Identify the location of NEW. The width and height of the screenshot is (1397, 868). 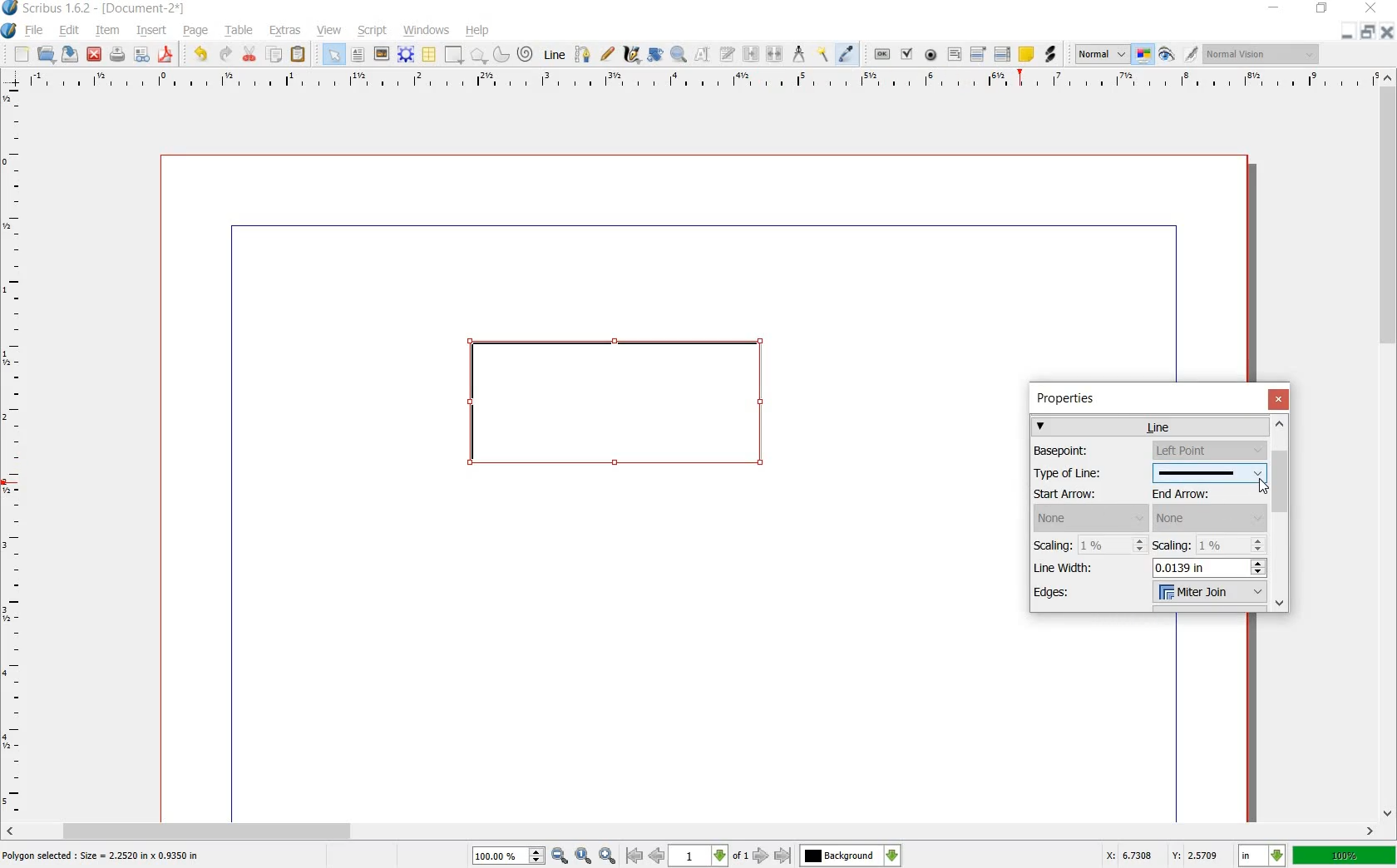
(21, 55).